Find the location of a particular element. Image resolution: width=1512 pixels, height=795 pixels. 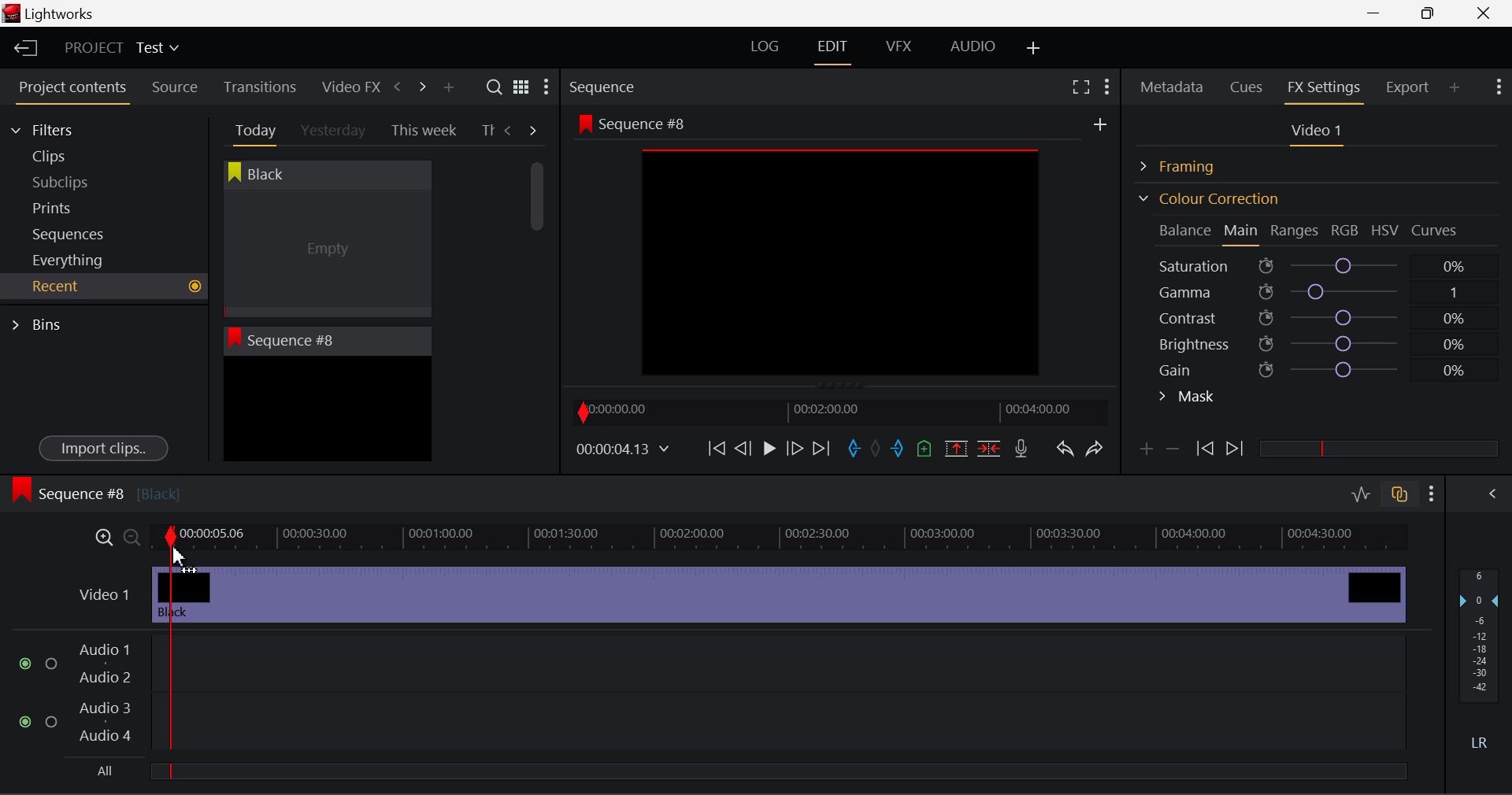

Show Audio Mix is located at coordinates (1494, 492).